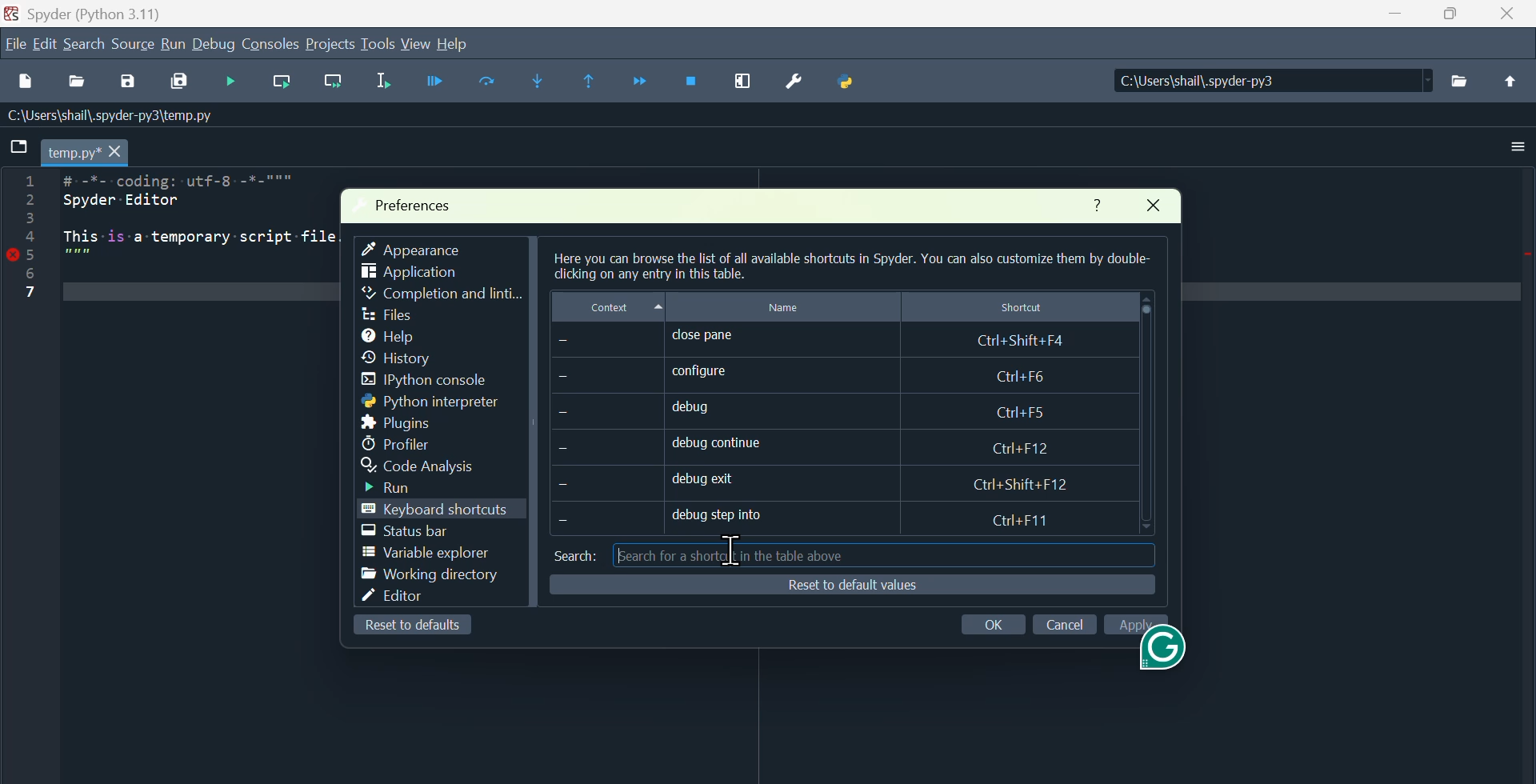  What do you see at coordinates (819, 476) in the screenshot?
I see `debug exit` at bounding box center [819, 476].